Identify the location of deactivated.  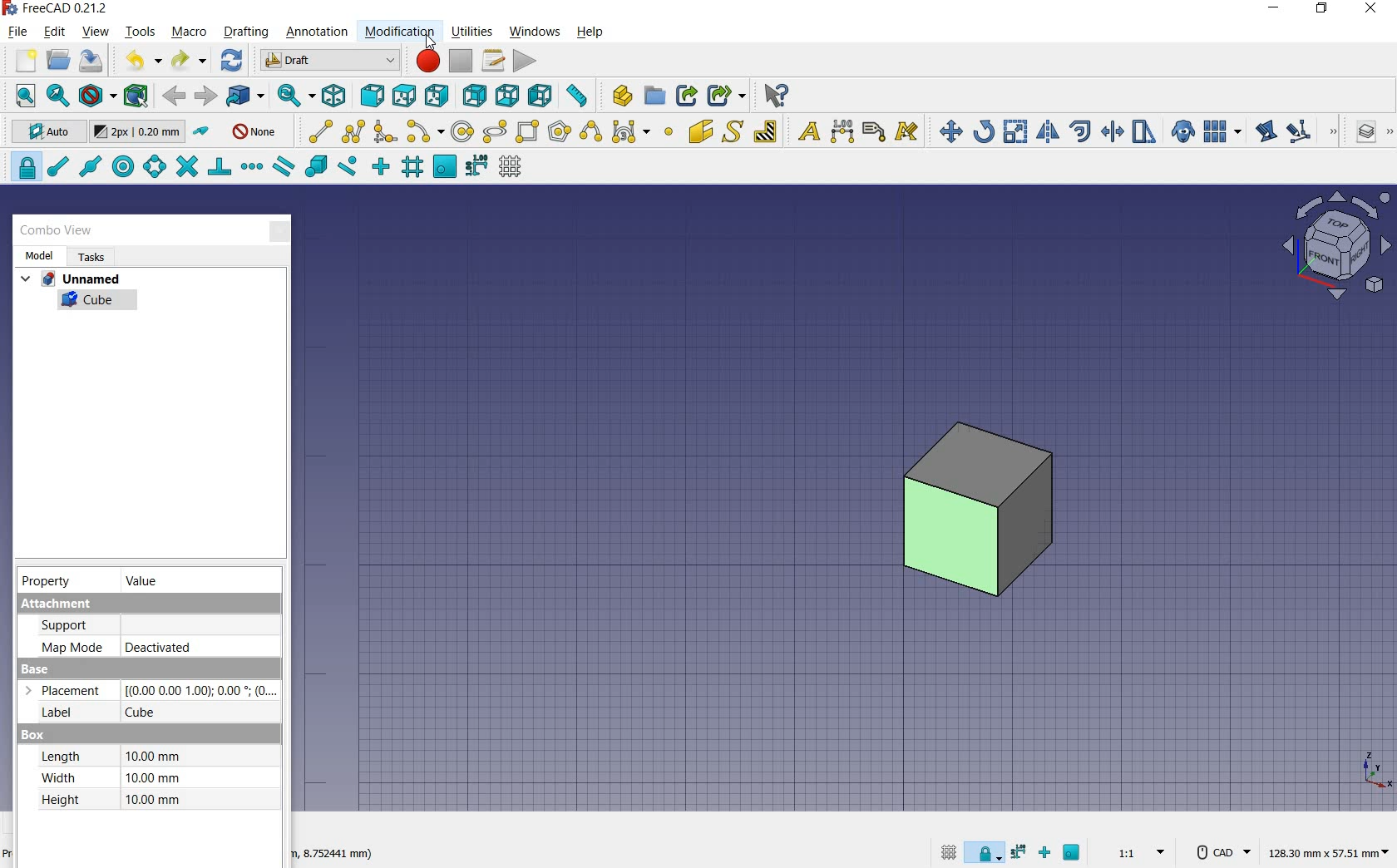
(159, 648).